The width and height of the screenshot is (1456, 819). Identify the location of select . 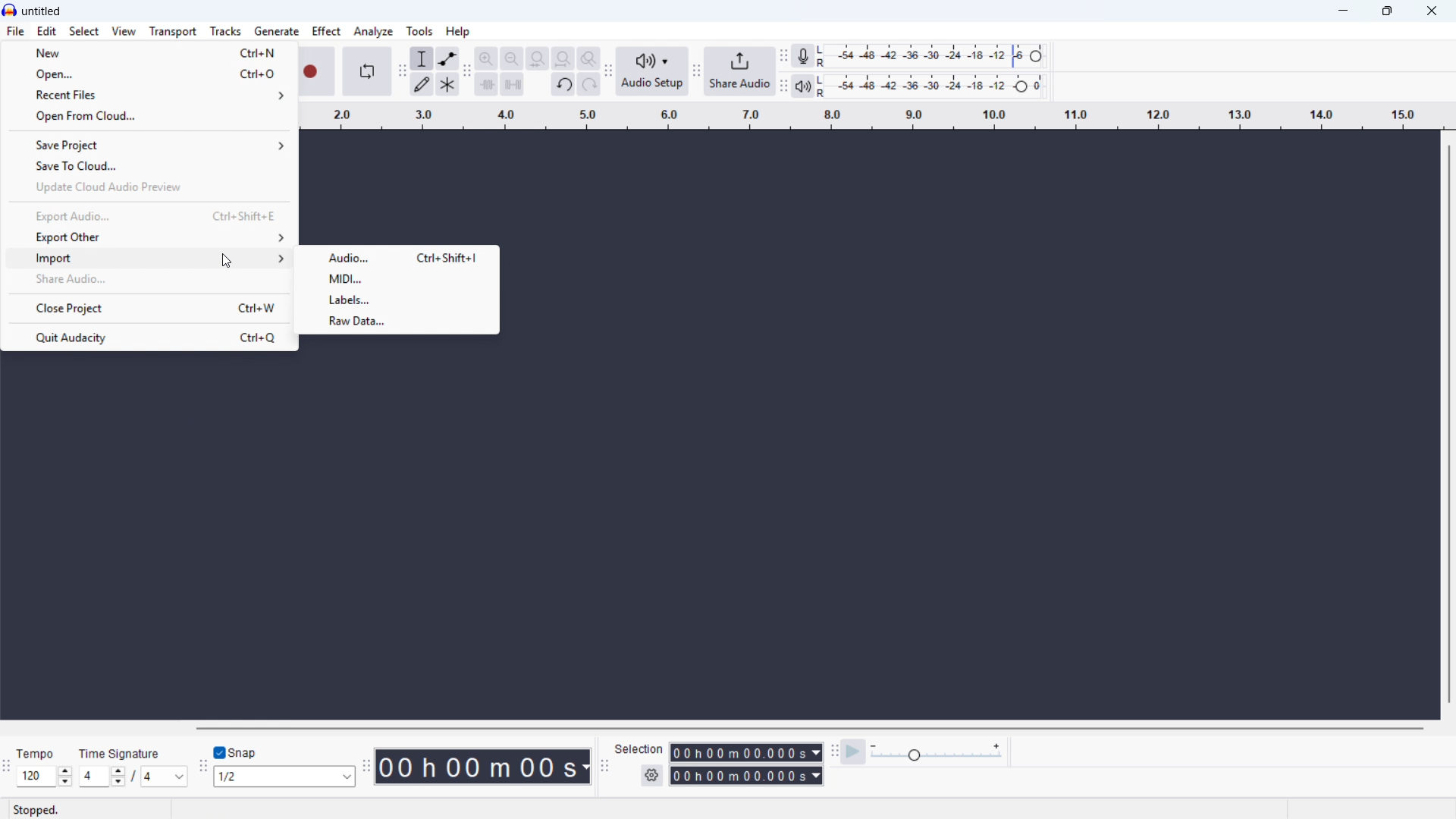
(85, 32).